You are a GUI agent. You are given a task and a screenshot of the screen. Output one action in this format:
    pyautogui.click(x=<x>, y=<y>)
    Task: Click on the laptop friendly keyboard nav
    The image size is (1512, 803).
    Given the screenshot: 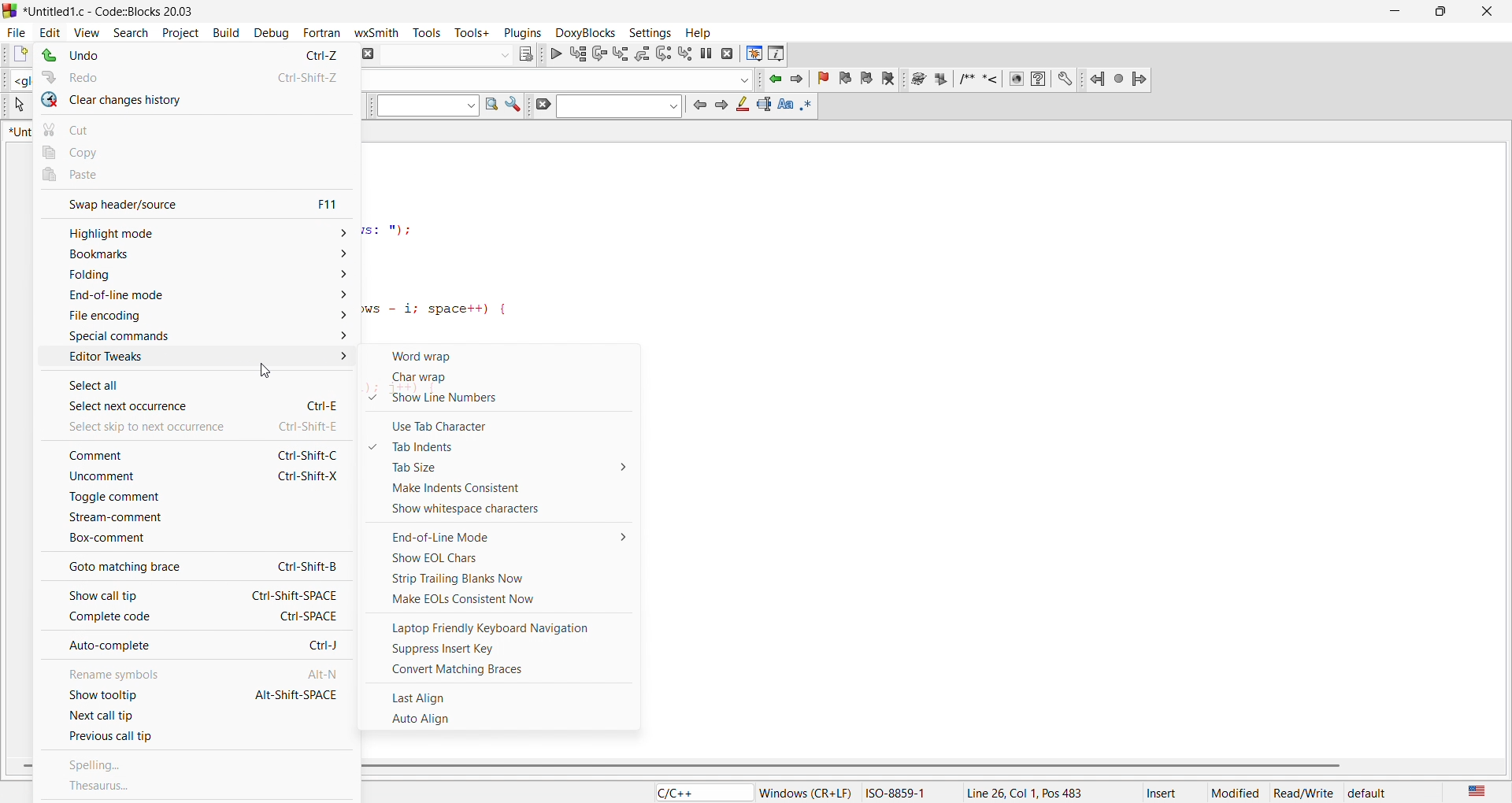 What is the action you would take?
    pyautogui.click(x=506, y=626)
    